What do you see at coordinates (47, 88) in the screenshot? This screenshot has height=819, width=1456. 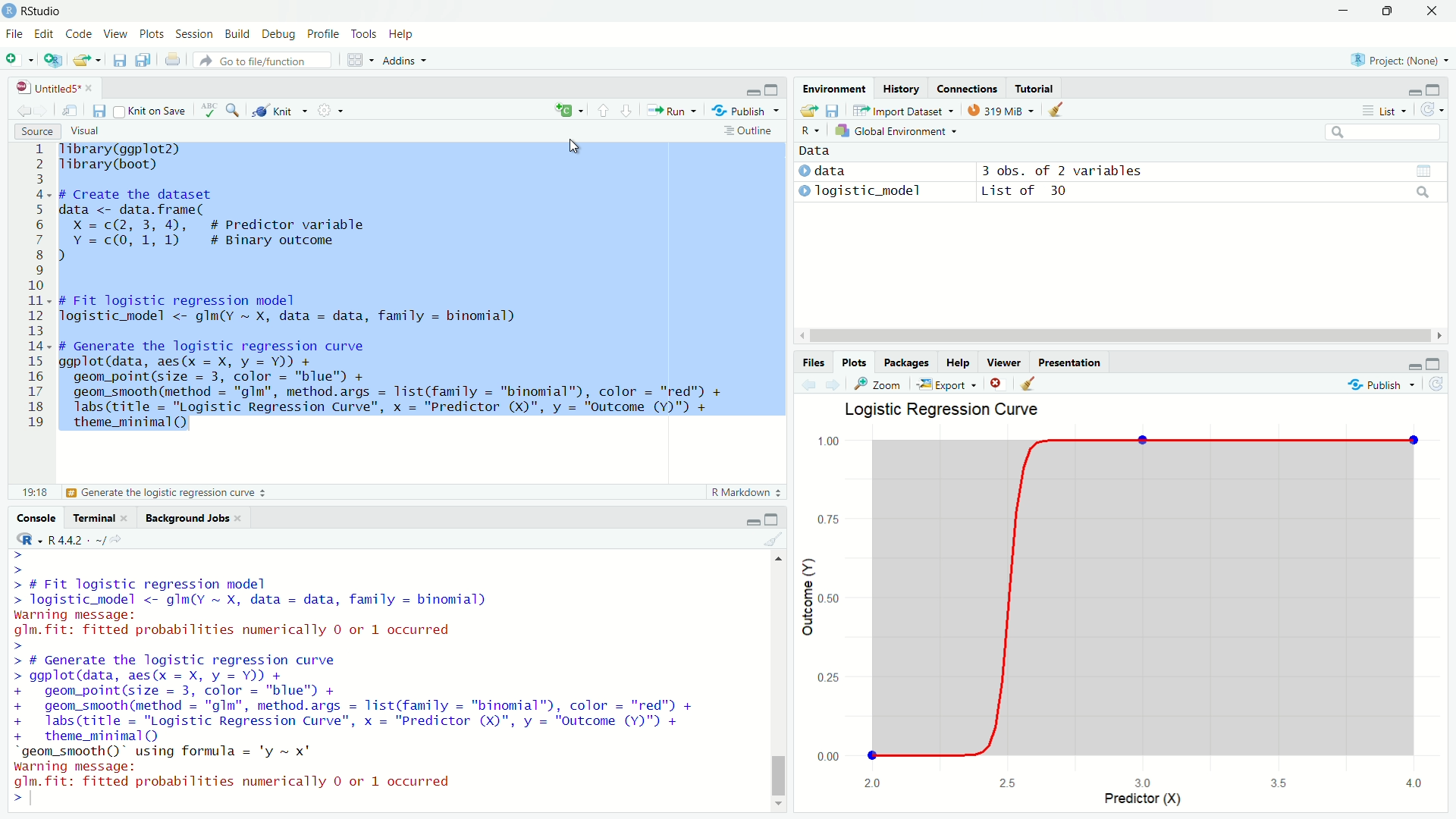 I see `Untitled5*` at bounding box center [47, 88].